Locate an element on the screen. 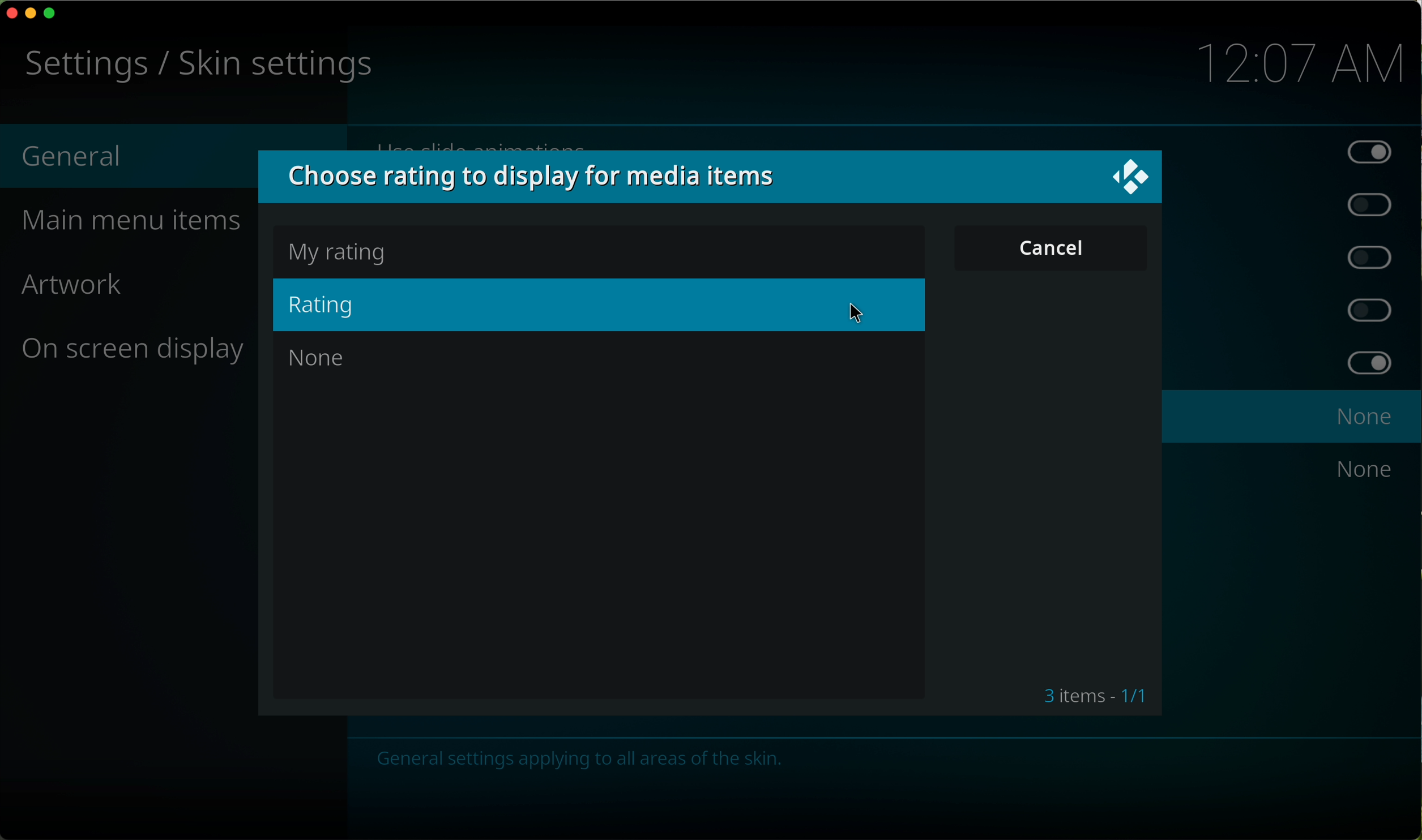  none is located at coordinates (1366, 473).